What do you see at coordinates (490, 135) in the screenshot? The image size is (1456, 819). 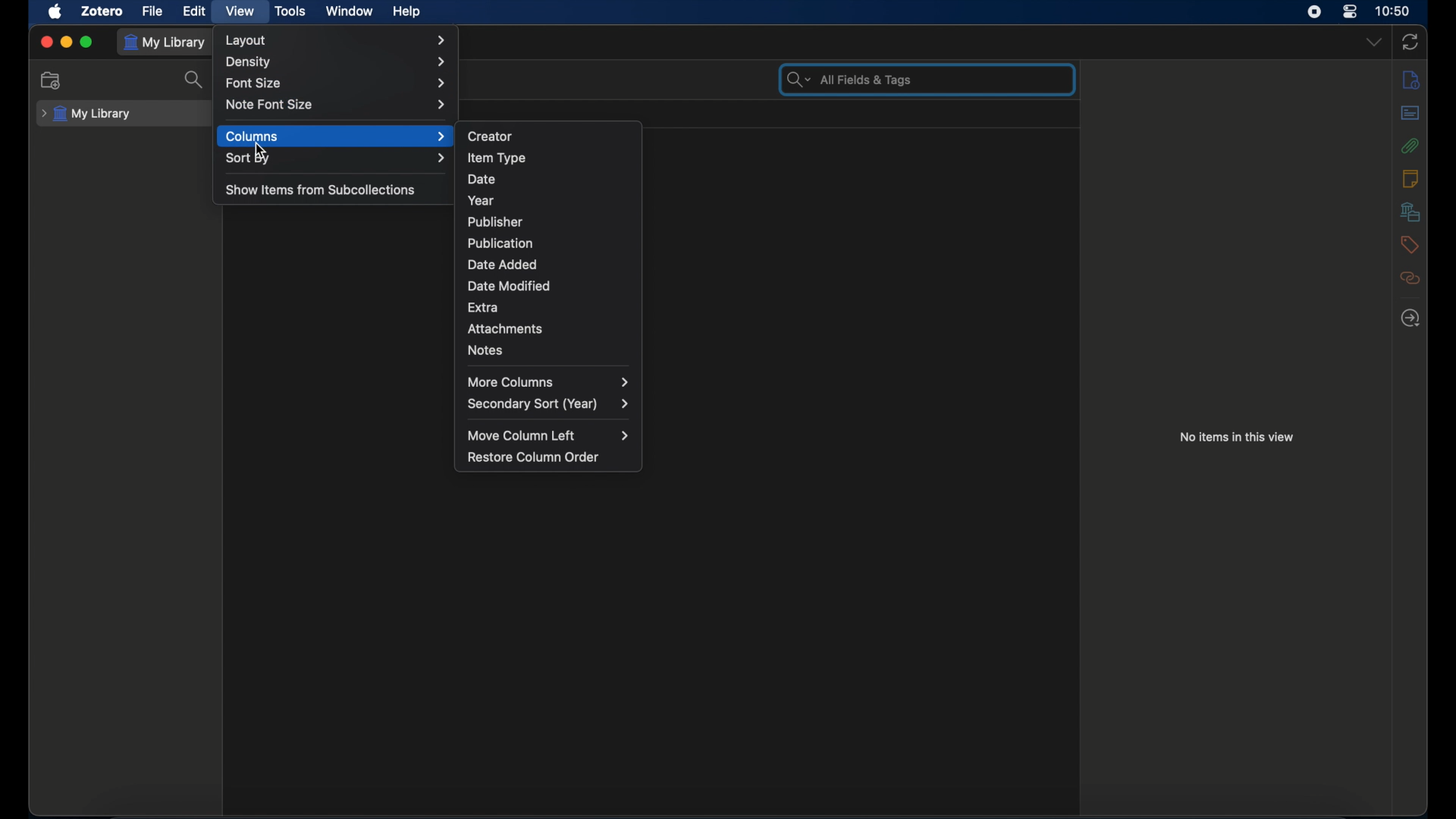 I see `creator` at bounding box center [490, 135].